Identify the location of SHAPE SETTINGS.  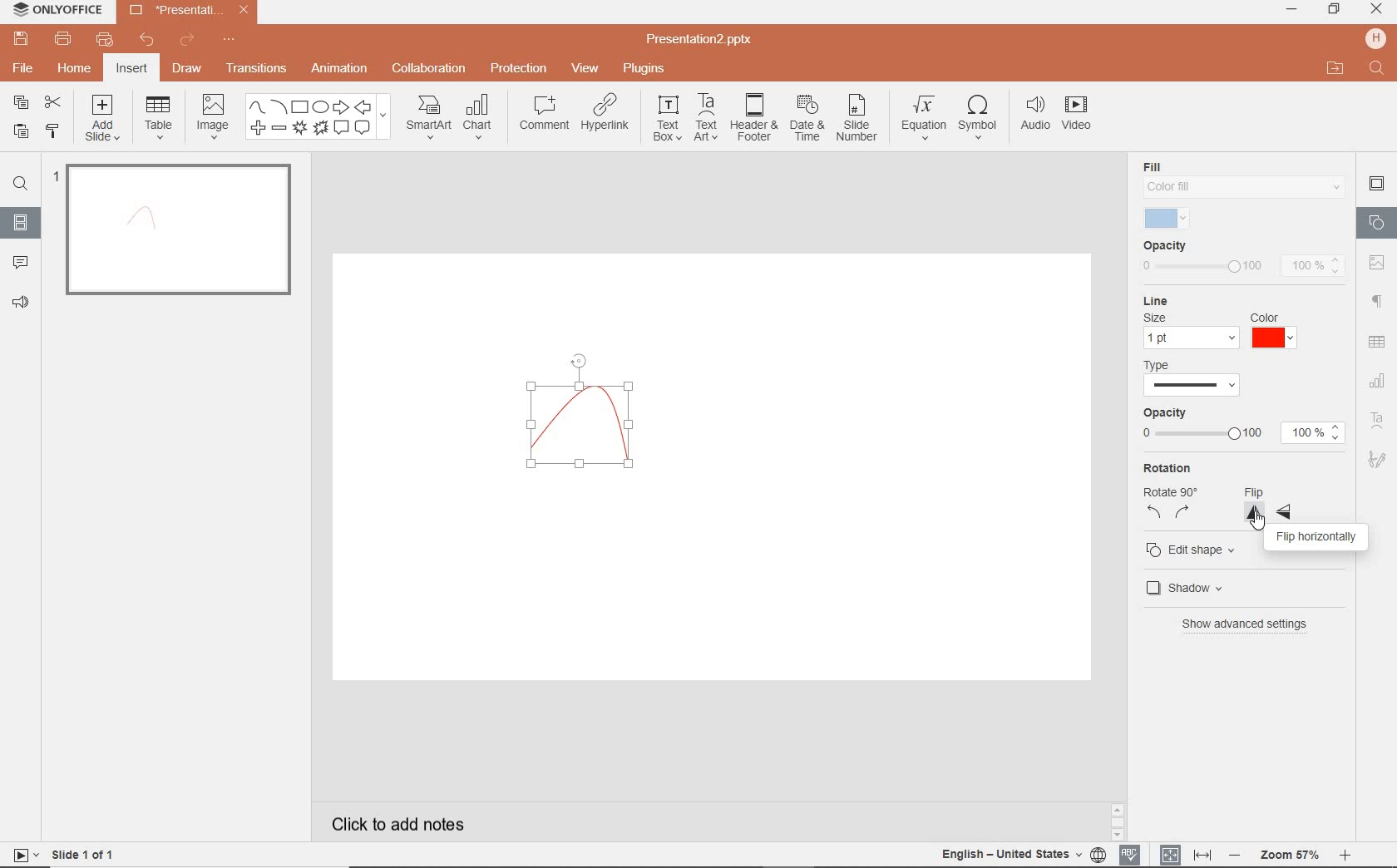
(1378, 223).